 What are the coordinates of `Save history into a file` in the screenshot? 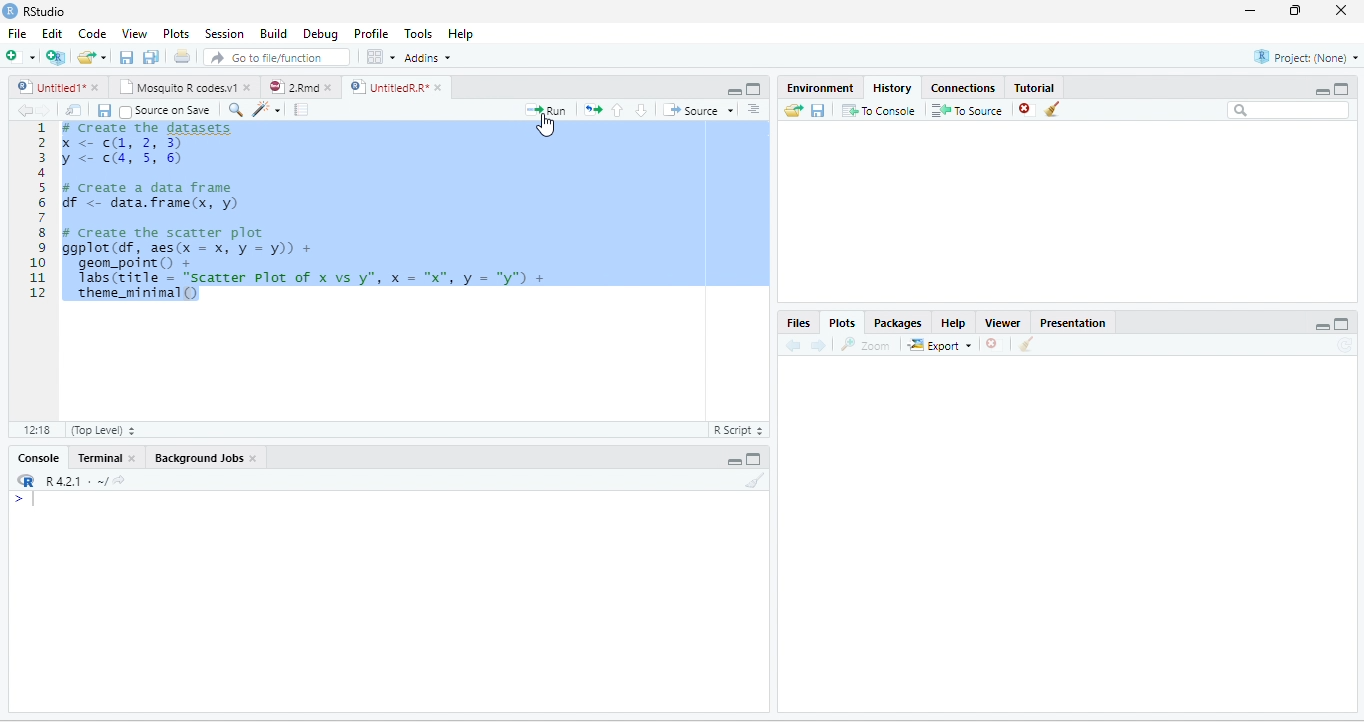 It's located at (818, 111).